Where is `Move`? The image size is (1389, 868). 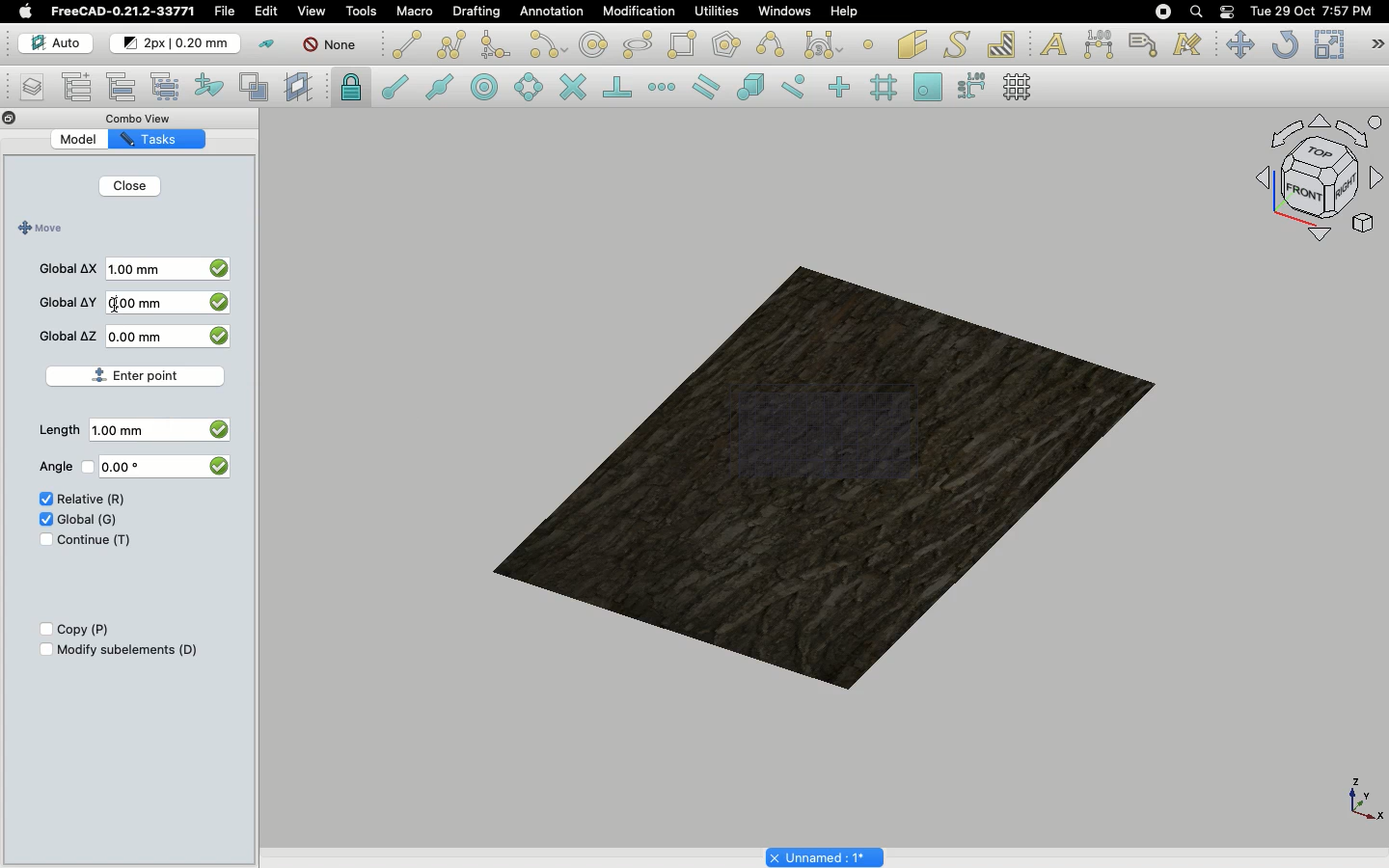
Move is located at coordinates (38, 229).